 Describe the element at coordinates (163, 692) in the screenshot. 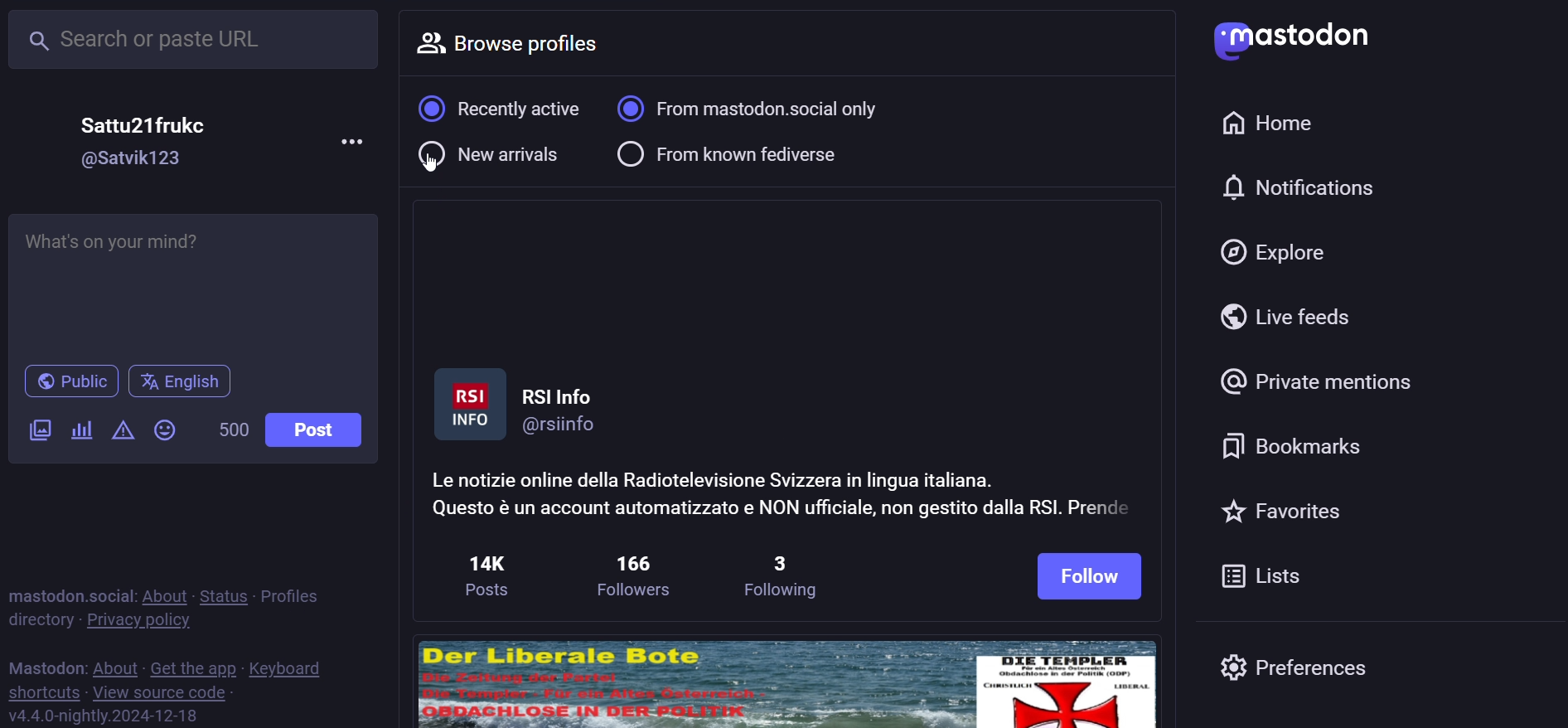

I see `view source code` at that location.